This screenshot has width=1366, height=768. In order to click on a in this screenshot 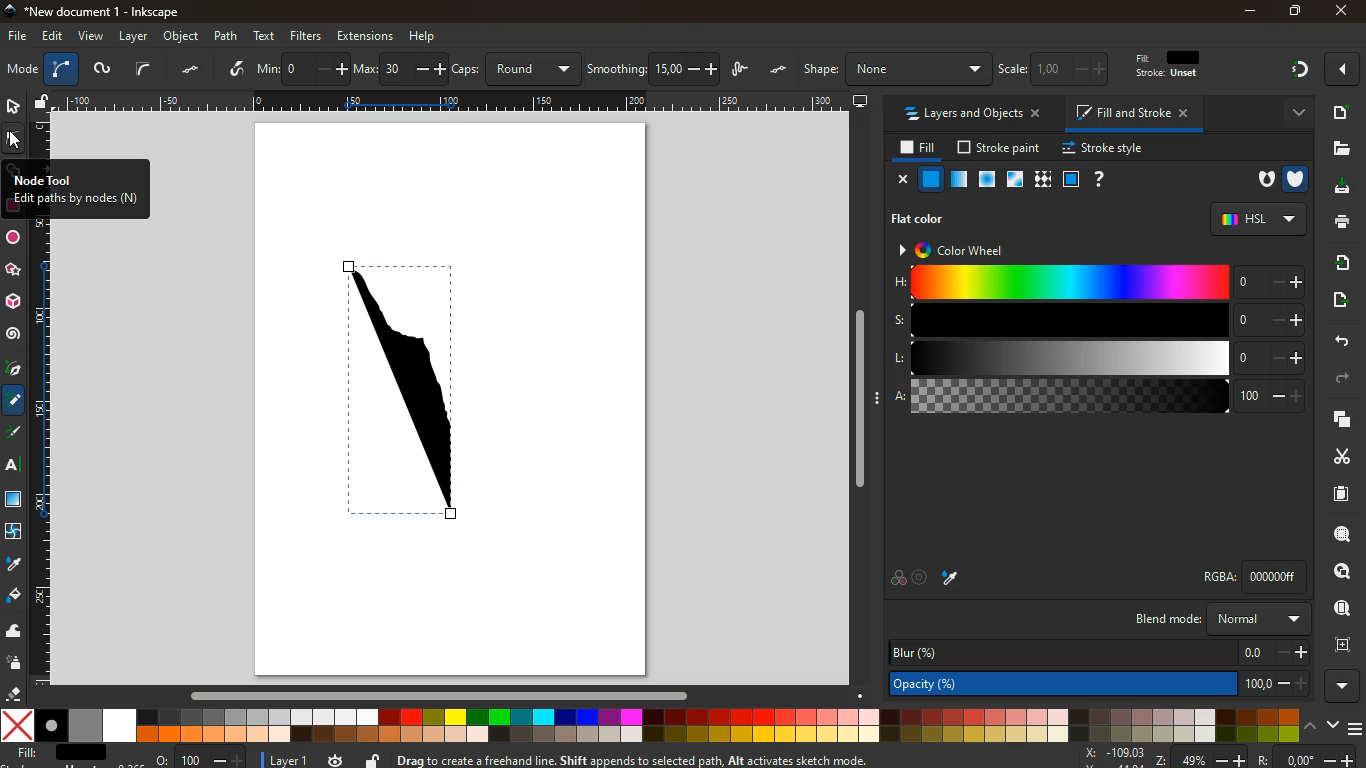, I will do `click(1099, 397)`.